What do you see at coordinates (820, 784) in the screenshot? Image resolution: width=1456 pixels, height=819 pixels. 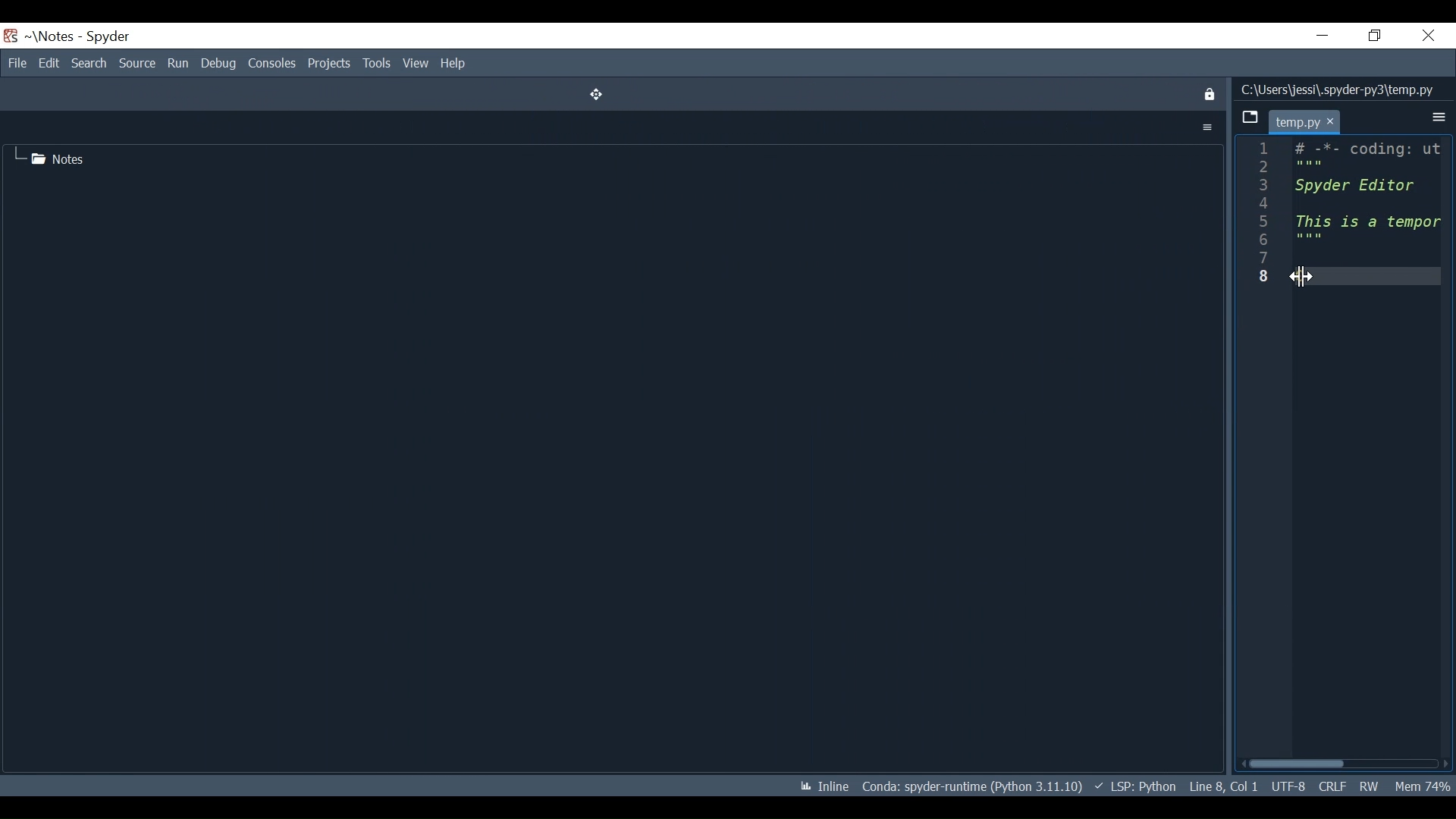 I see `Inline` at bounding box center [820, 784].